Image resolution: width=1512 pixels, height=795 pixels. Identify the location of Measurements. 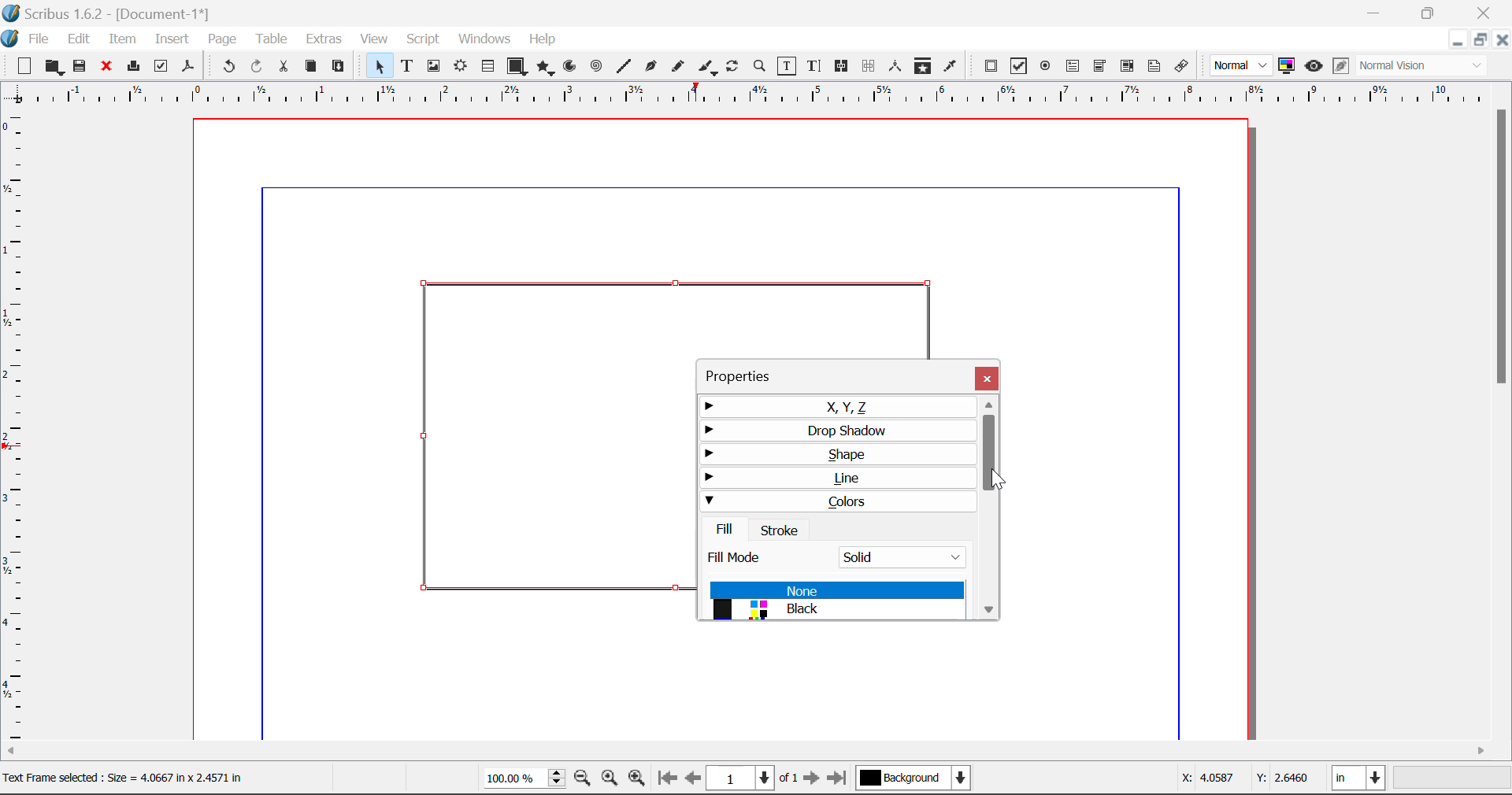
(898, 66).